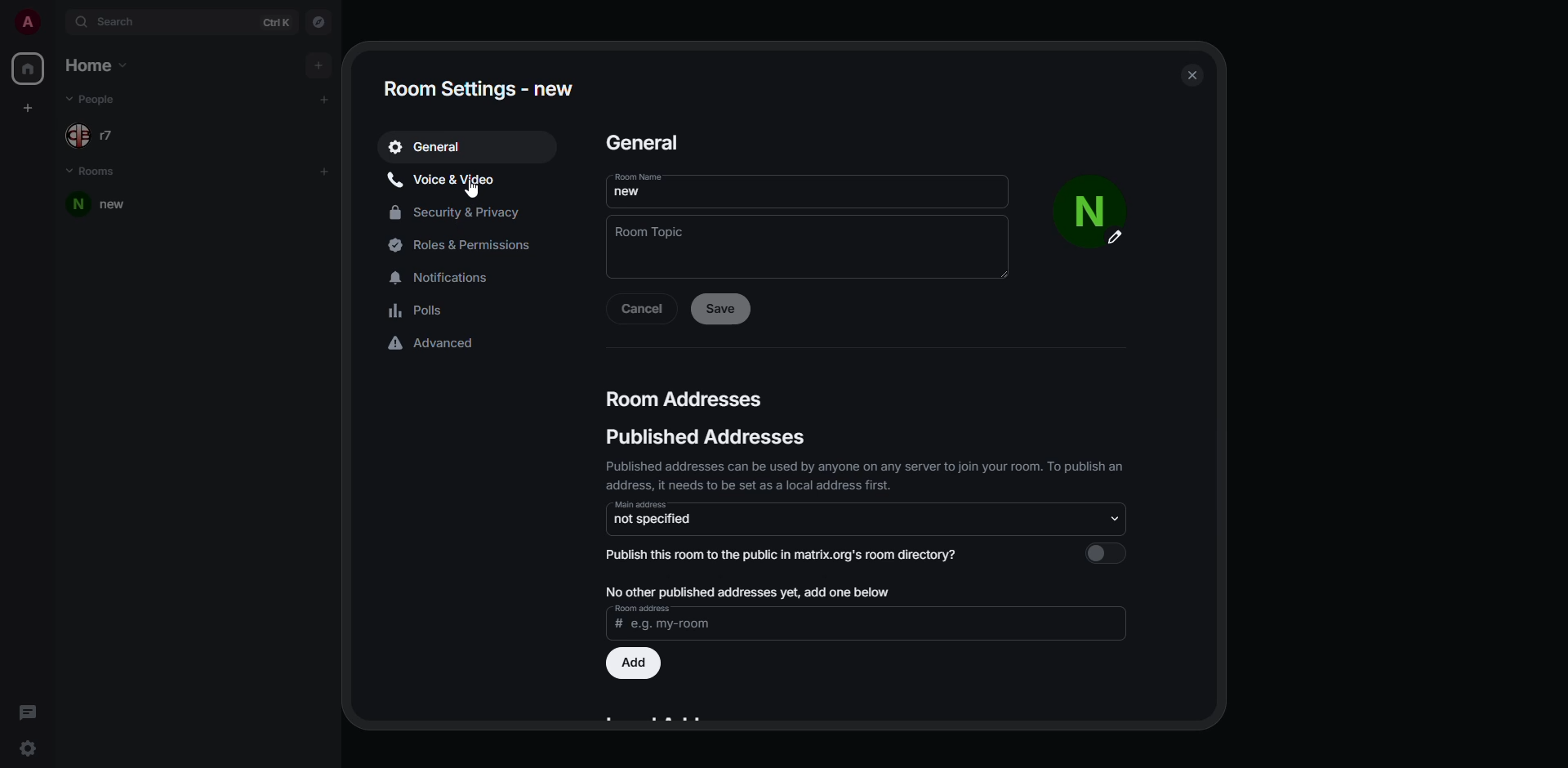  Describe the element at coordinates (95, 132) in the screenshot. I see `people` at that location.